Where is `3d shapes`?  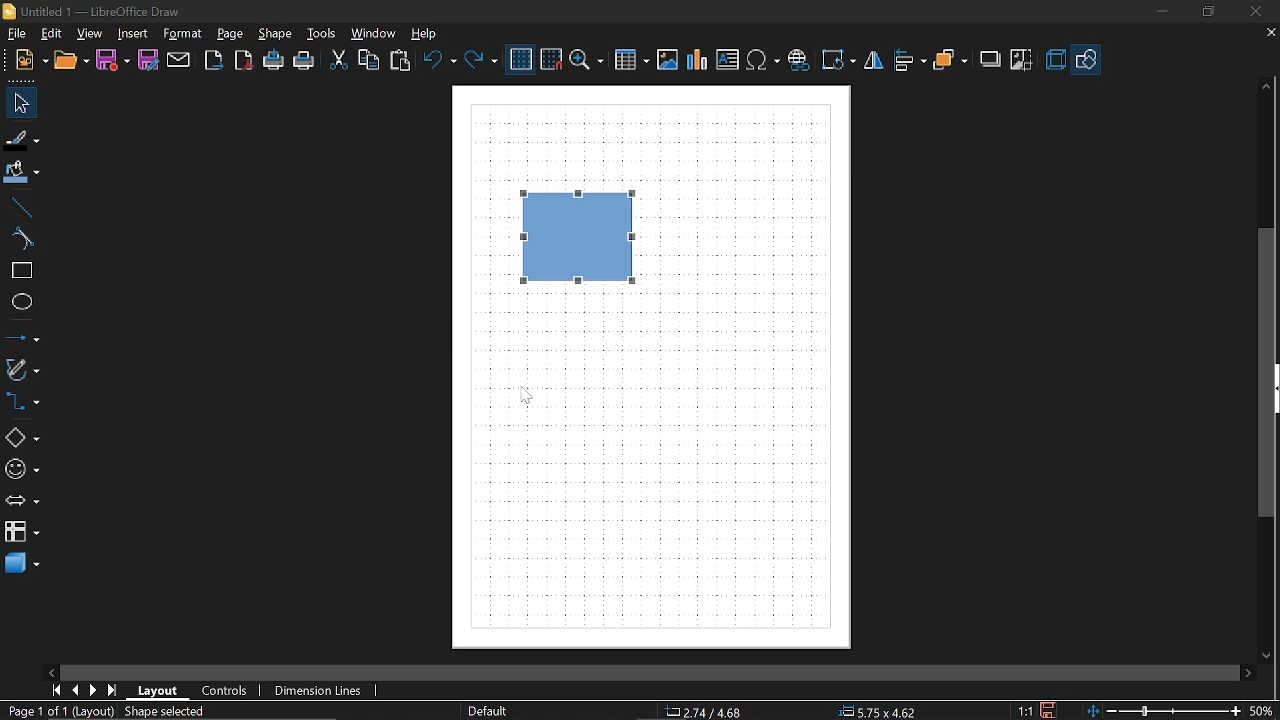 3d shapes is located at coordinates (21, 565).